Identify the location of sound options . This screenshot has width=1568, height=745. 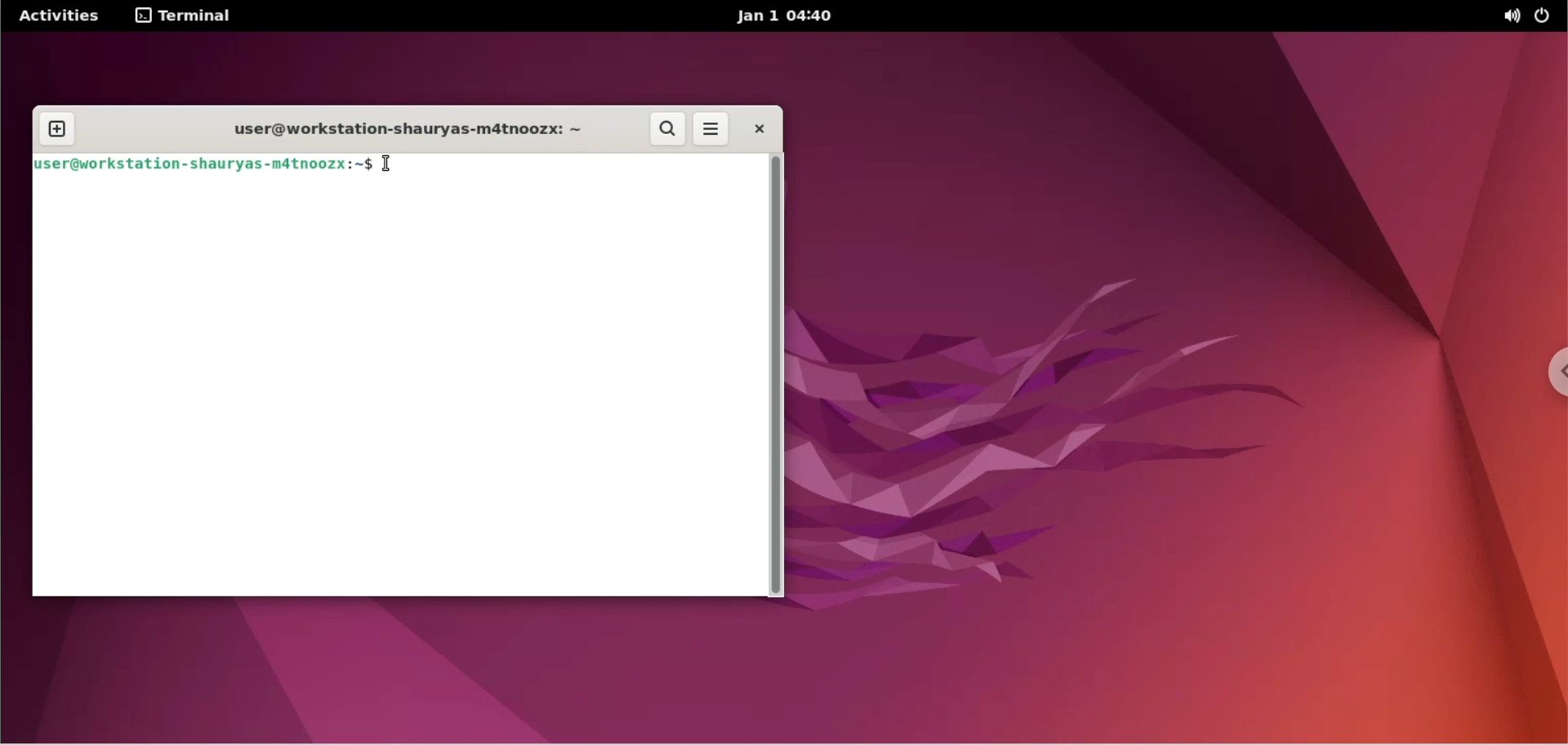
(1511, 17).